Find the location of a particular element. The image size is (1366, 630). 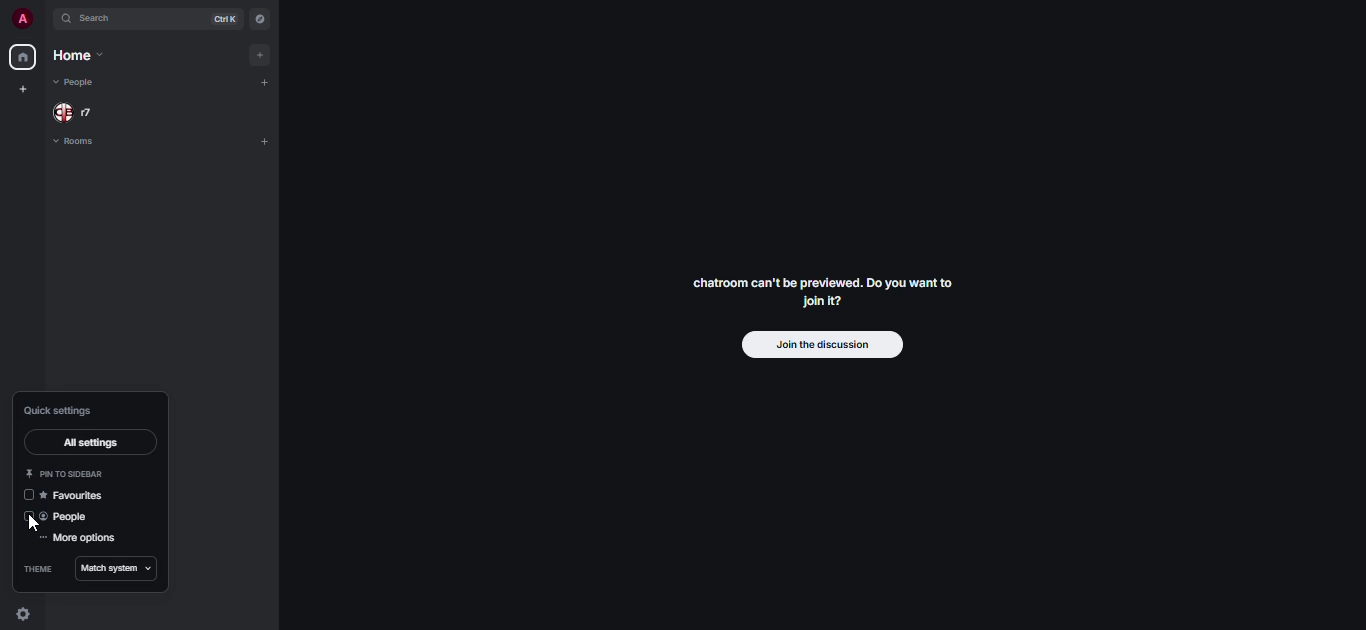

theme is located at coordinates (35, 569).